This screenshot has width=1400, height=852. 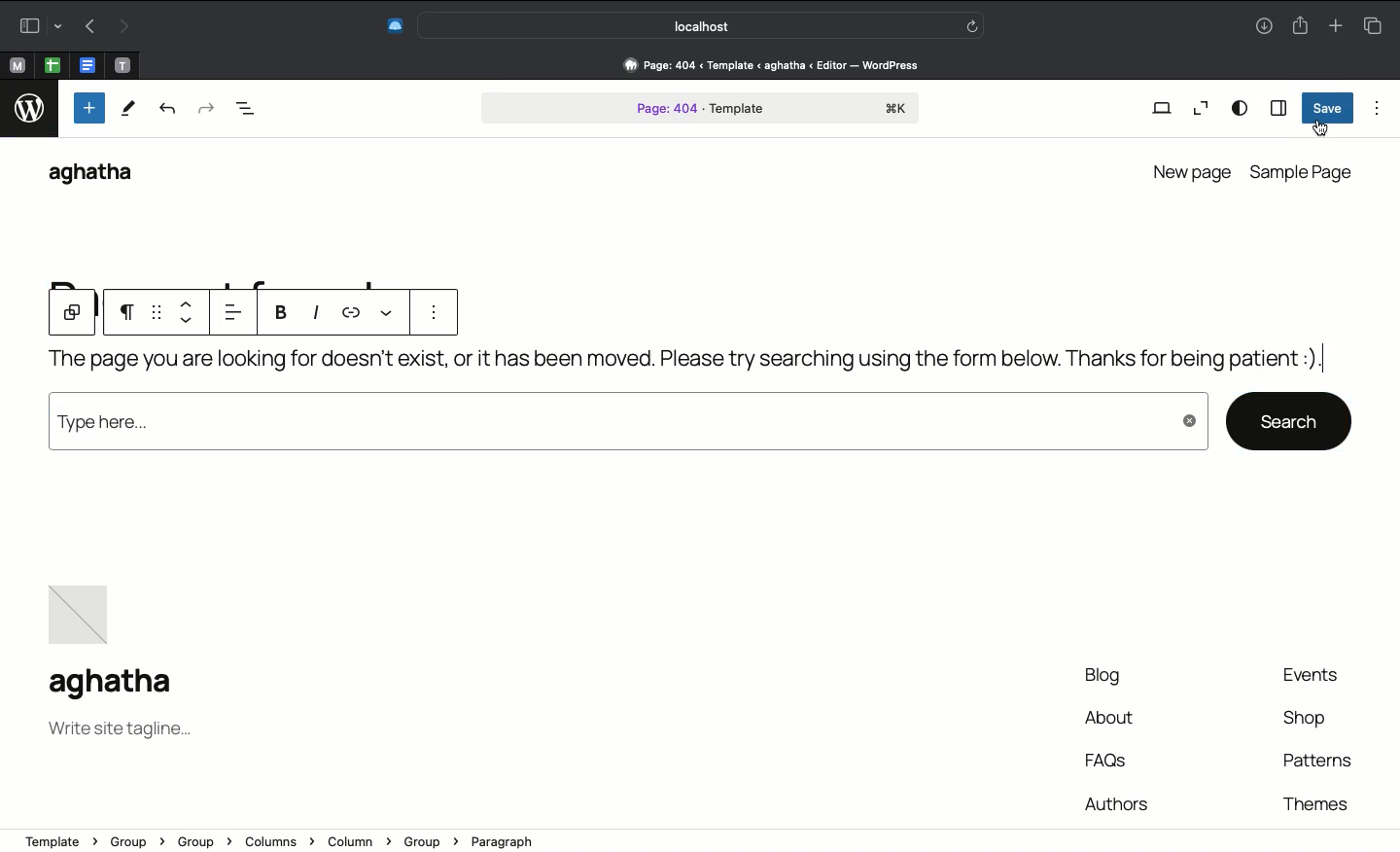 I want to click on Scroll, so click(x=1391, y=333).